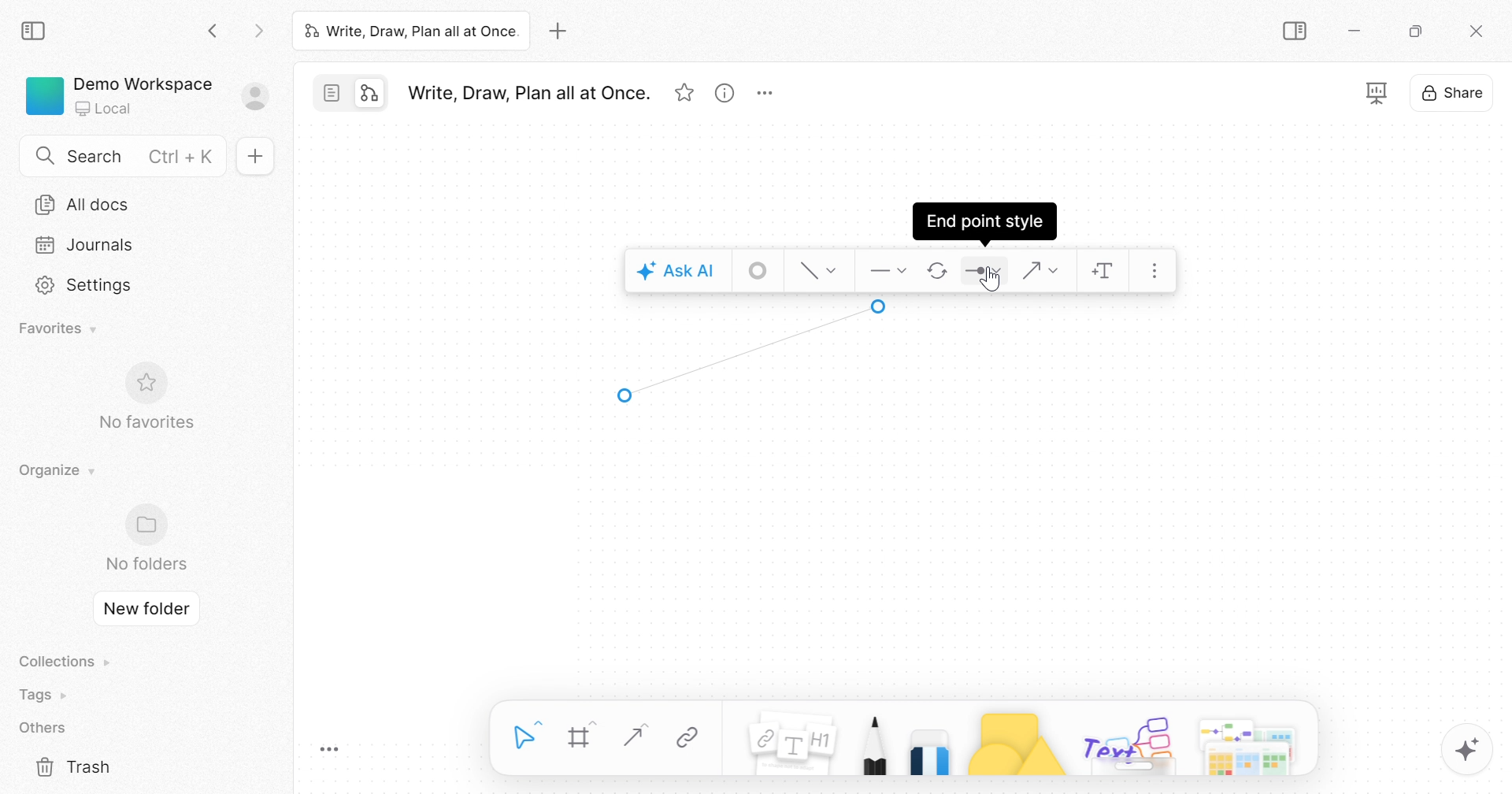 The height and width of the screenshot is (794, 1512). I want to click on More options, so click(769, 94).